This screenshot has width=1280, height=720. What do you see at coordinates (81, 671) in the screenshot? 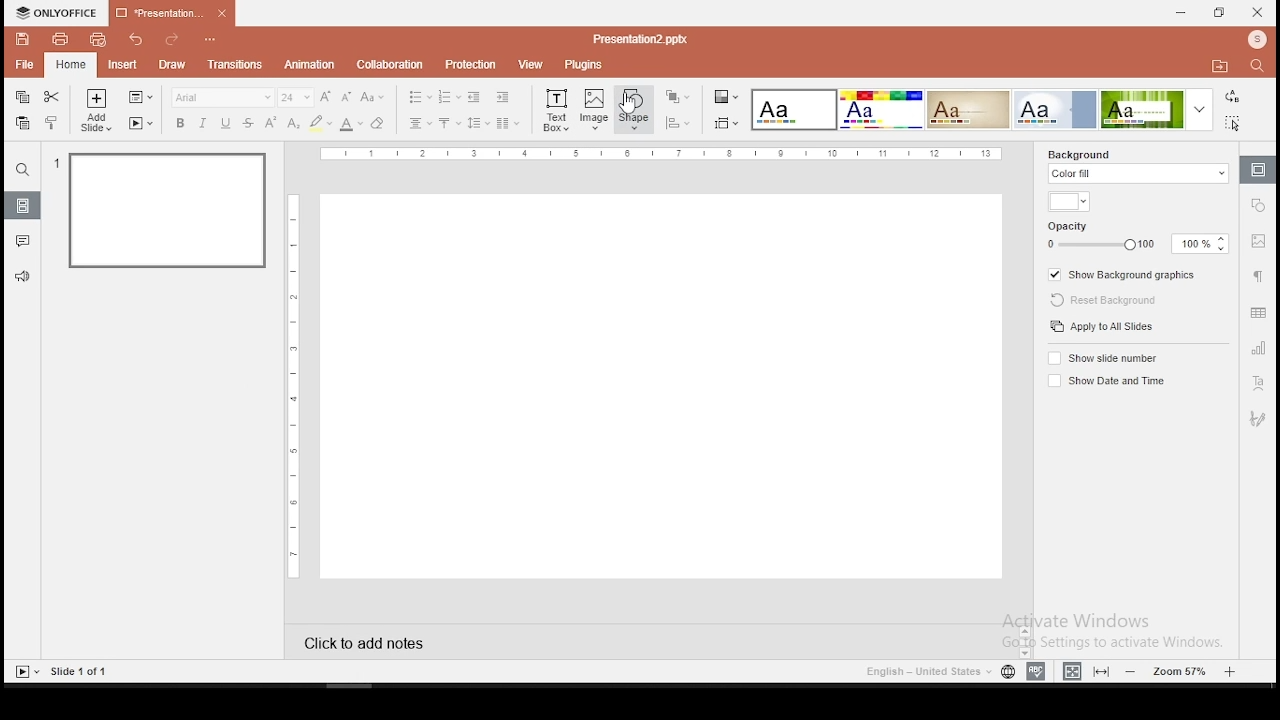
I see `slide 1 of 1` at bounding box center [81, 671].